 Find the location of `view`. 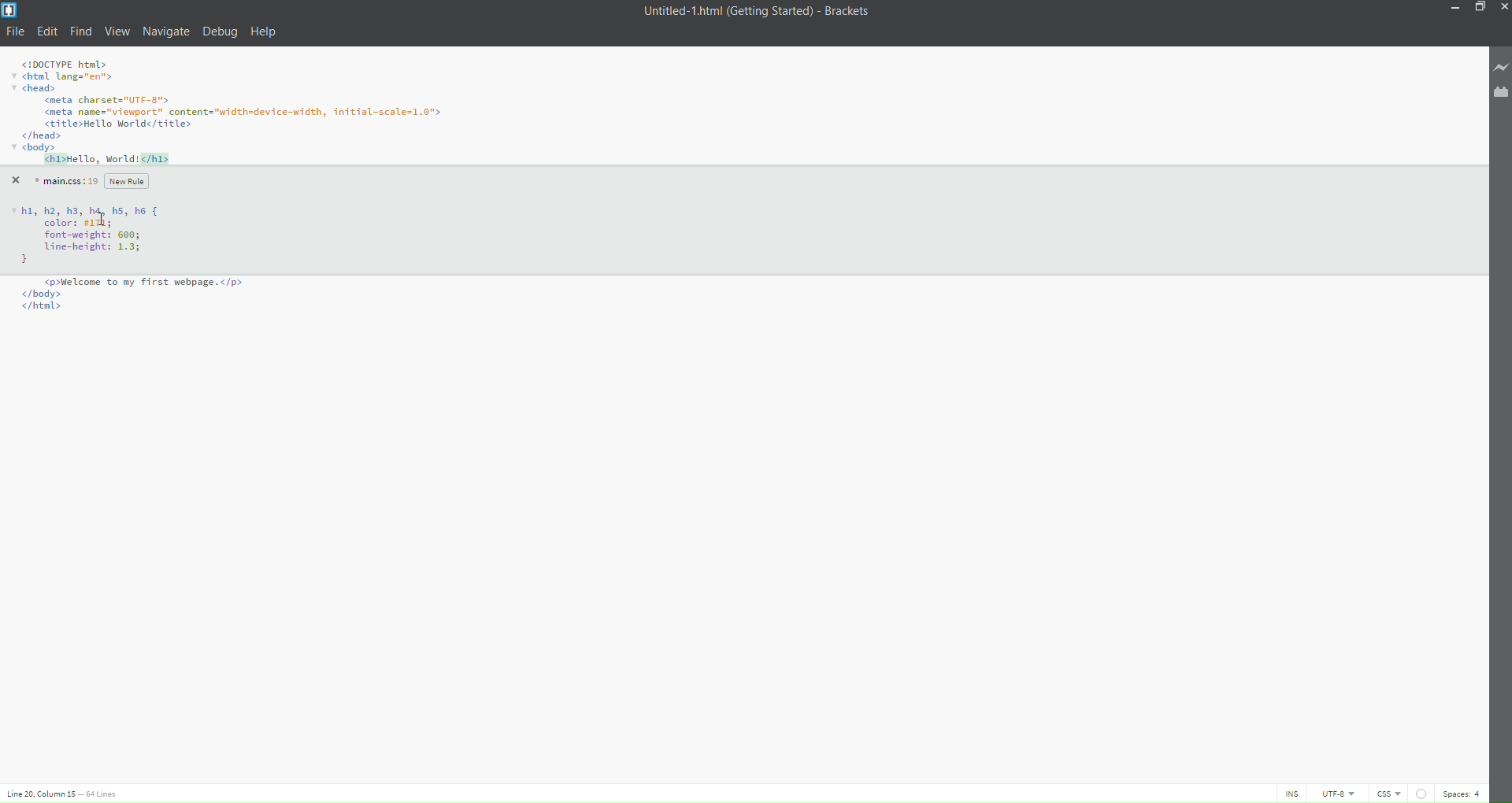

view is located at coordinates (117, 31).